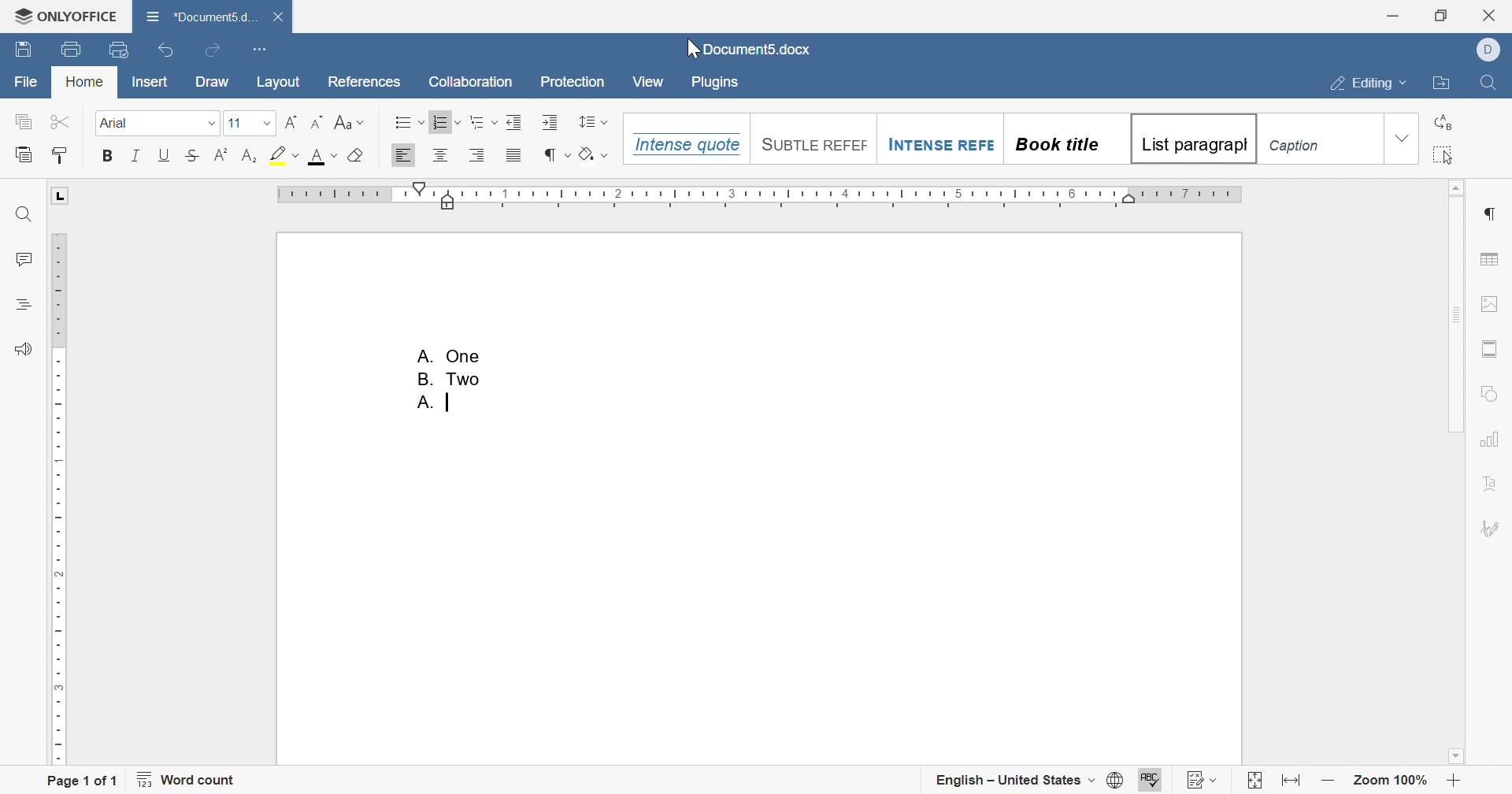 The image size is (1512, 794). I want to click on zoom 100%, so click(1390, 782).